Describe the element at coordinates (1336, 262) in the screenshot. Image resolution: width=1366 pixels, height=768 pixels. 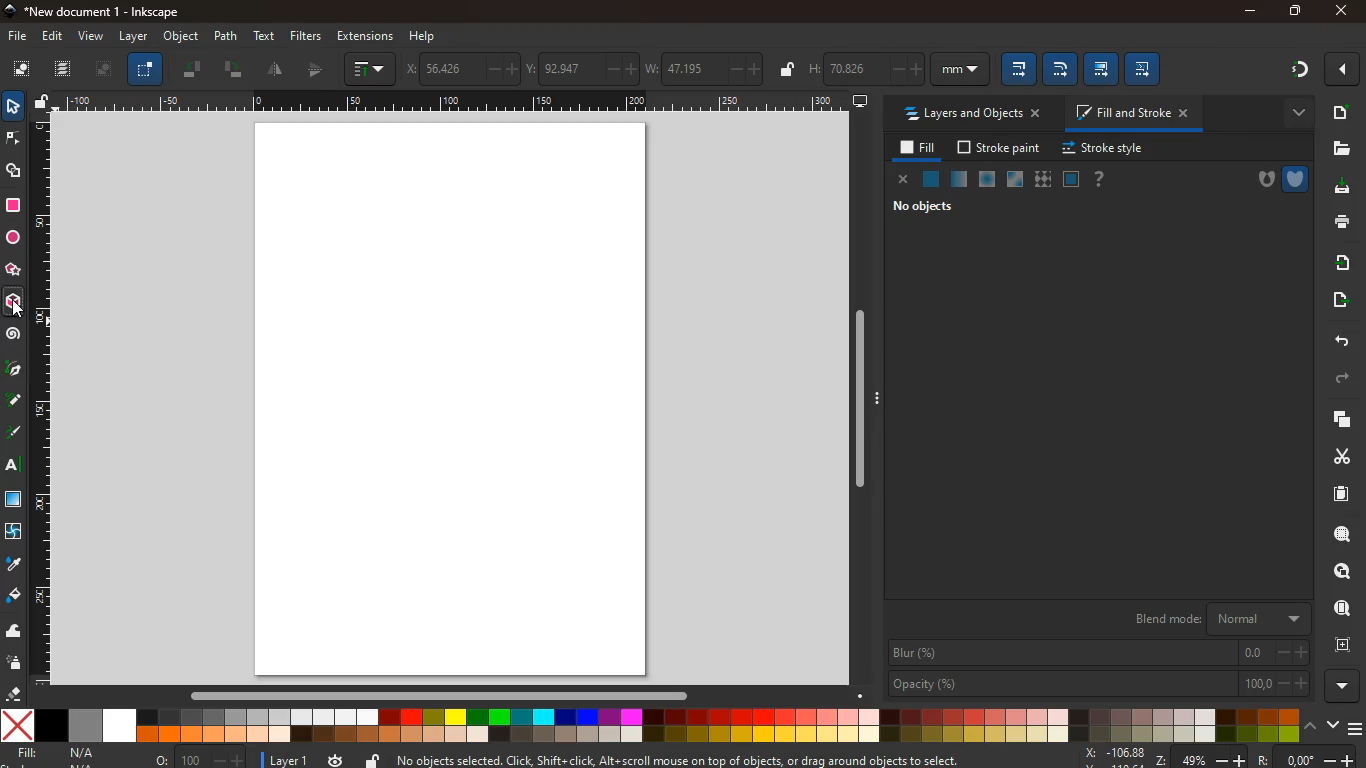
I see `receive` at that location.